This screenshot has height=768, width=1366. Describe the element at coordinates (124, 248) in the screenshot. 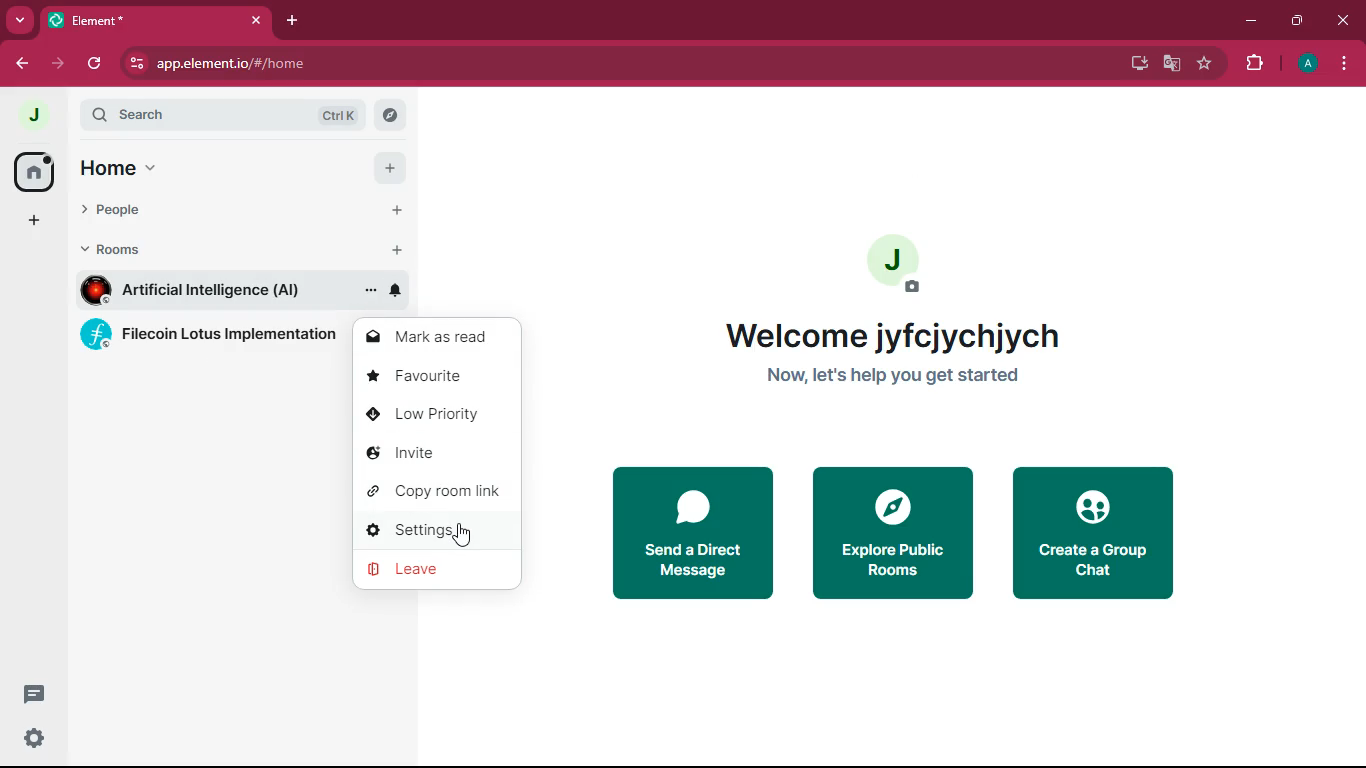

I see `rooms` at that location.